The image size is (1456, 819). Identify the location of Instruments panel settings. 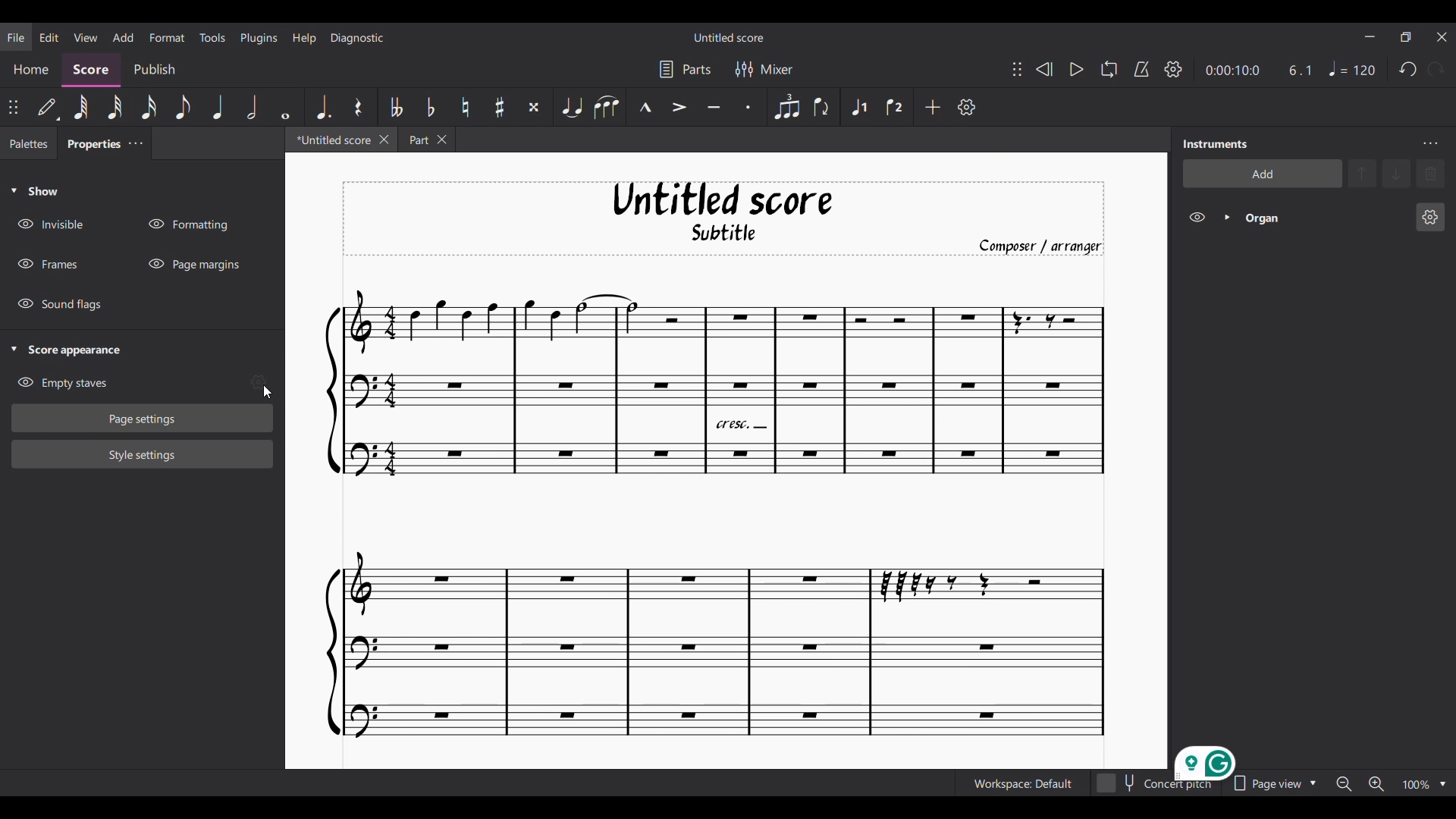
(1430, 143).